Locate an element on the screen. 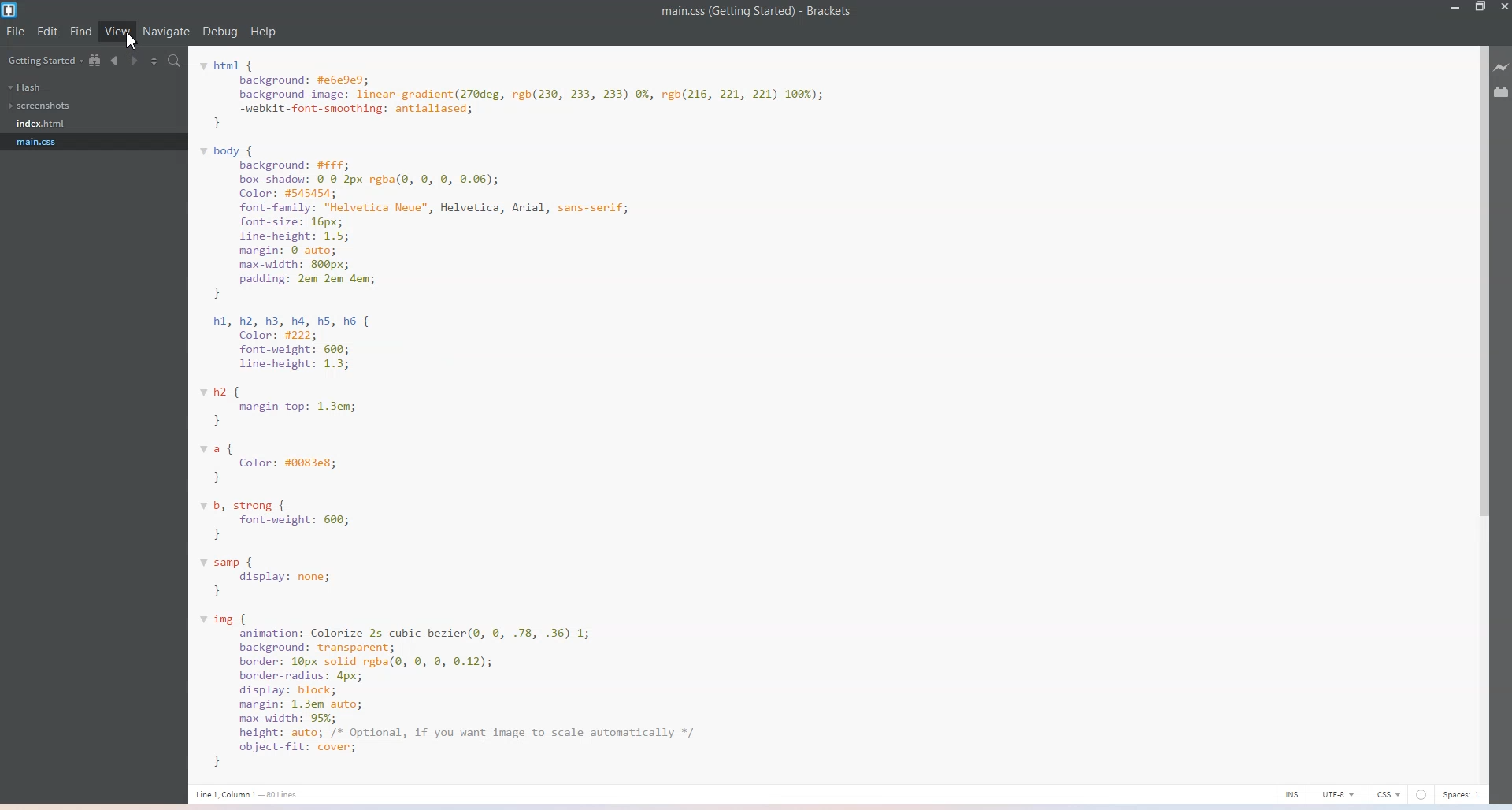 The height and width of the screenshot is (810, 1512). Navigate is located at coordinates (168, 32).